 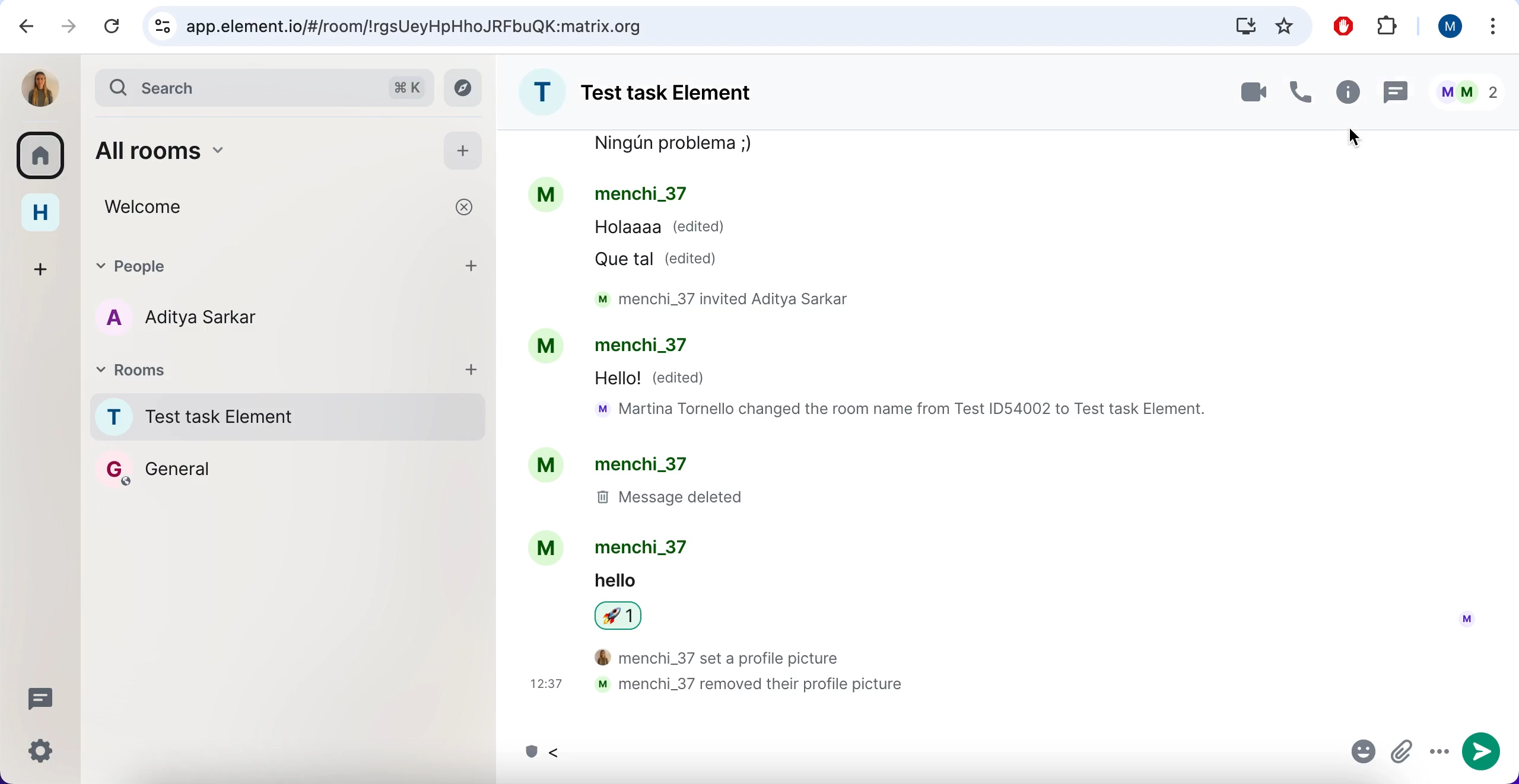 What do you see at coordinates (1346, 92) in the screenshot?
I see `room info` at bounding box center [1346, 92].